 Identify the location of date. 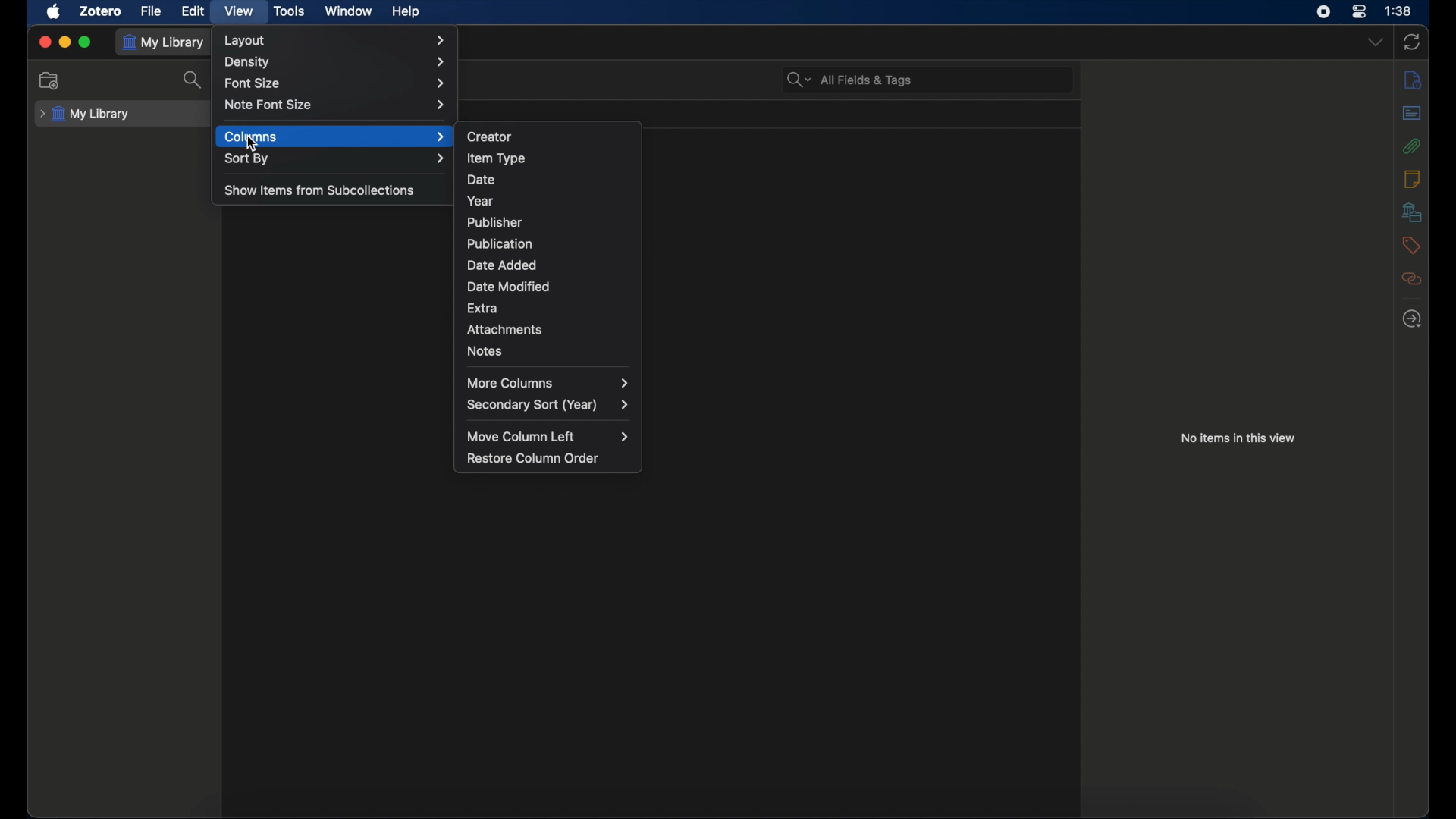
(482, 180).